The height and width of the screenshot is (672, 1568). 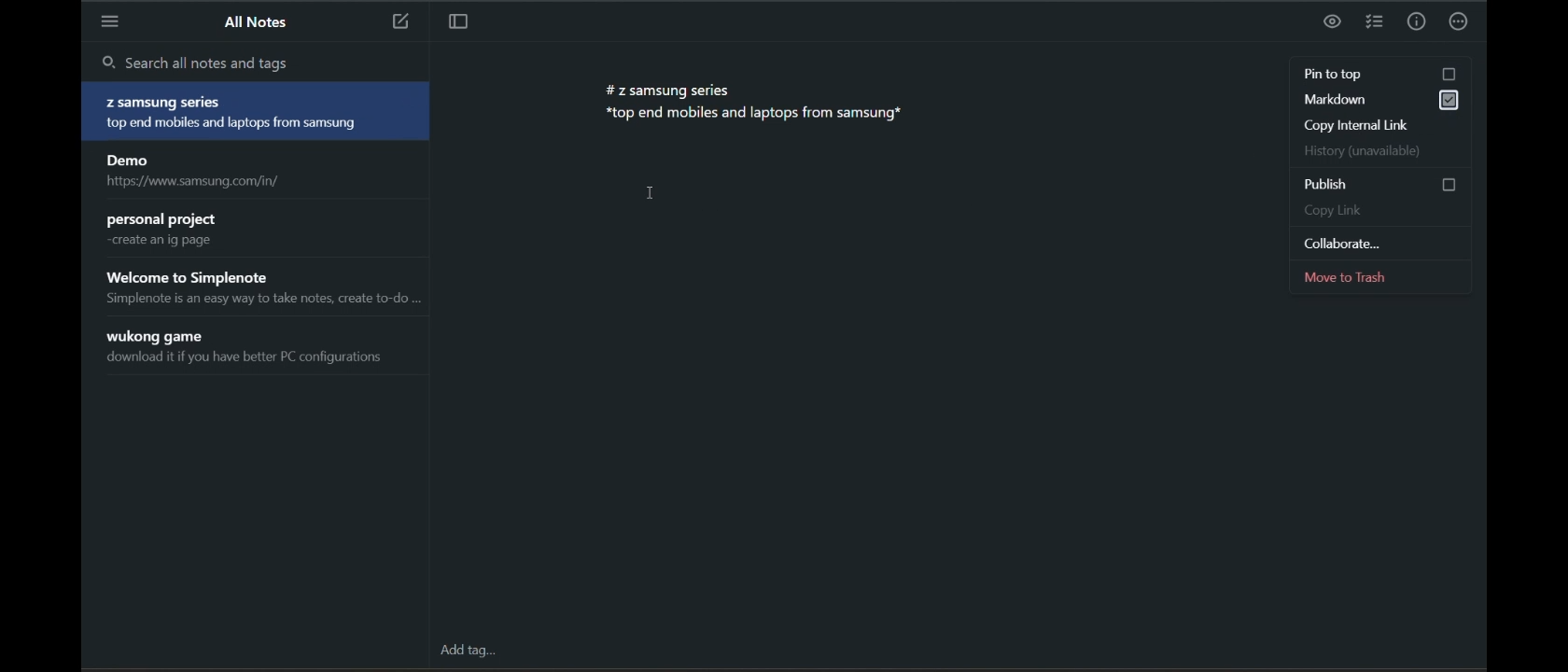 What do you see at coordinates (257, 172) in the screenshot?
I see `Demo https://www.samsung.com/in/` at bounding box center [257, 172].